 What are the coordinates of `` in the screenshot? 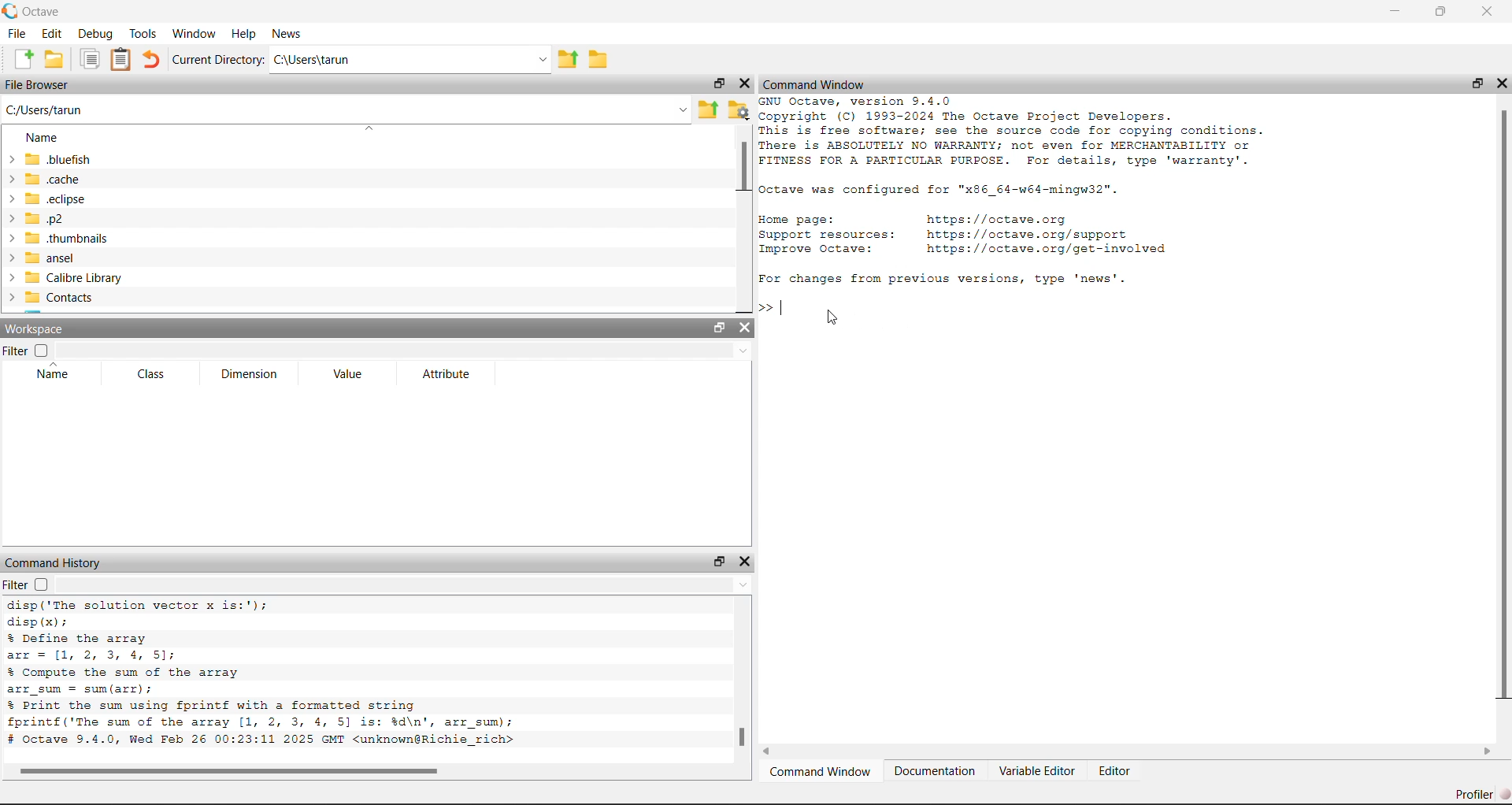 It's located at (232, 770).